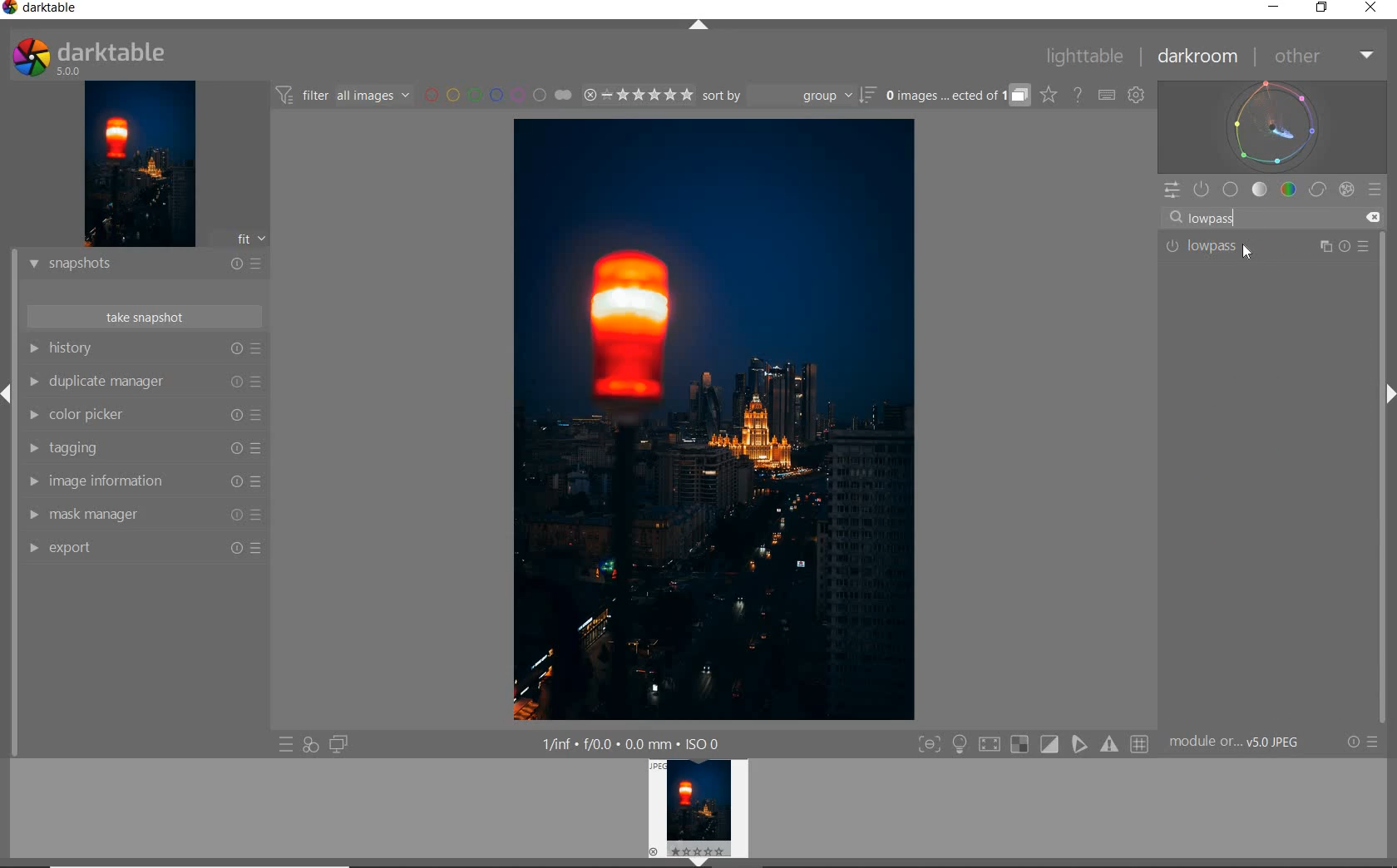 This screenshot has width=1397, height=868. What do you see at coordinates (1317, 190) in the screenshot?
I see `CORRECT` at bounding box center [1317, 190].